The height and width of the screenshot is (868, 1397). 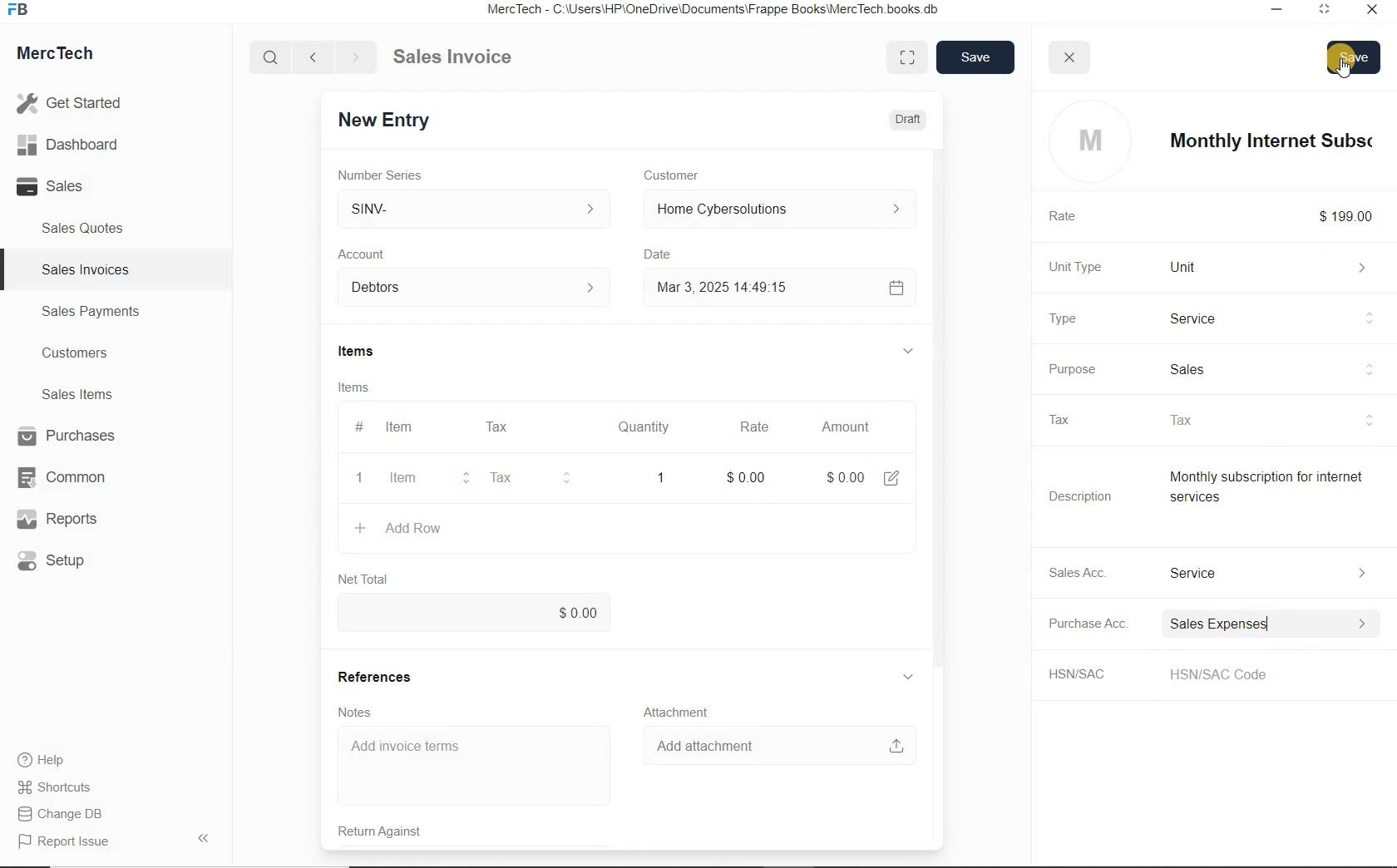 I want to click on $0.00, so click(x=475, y=613).